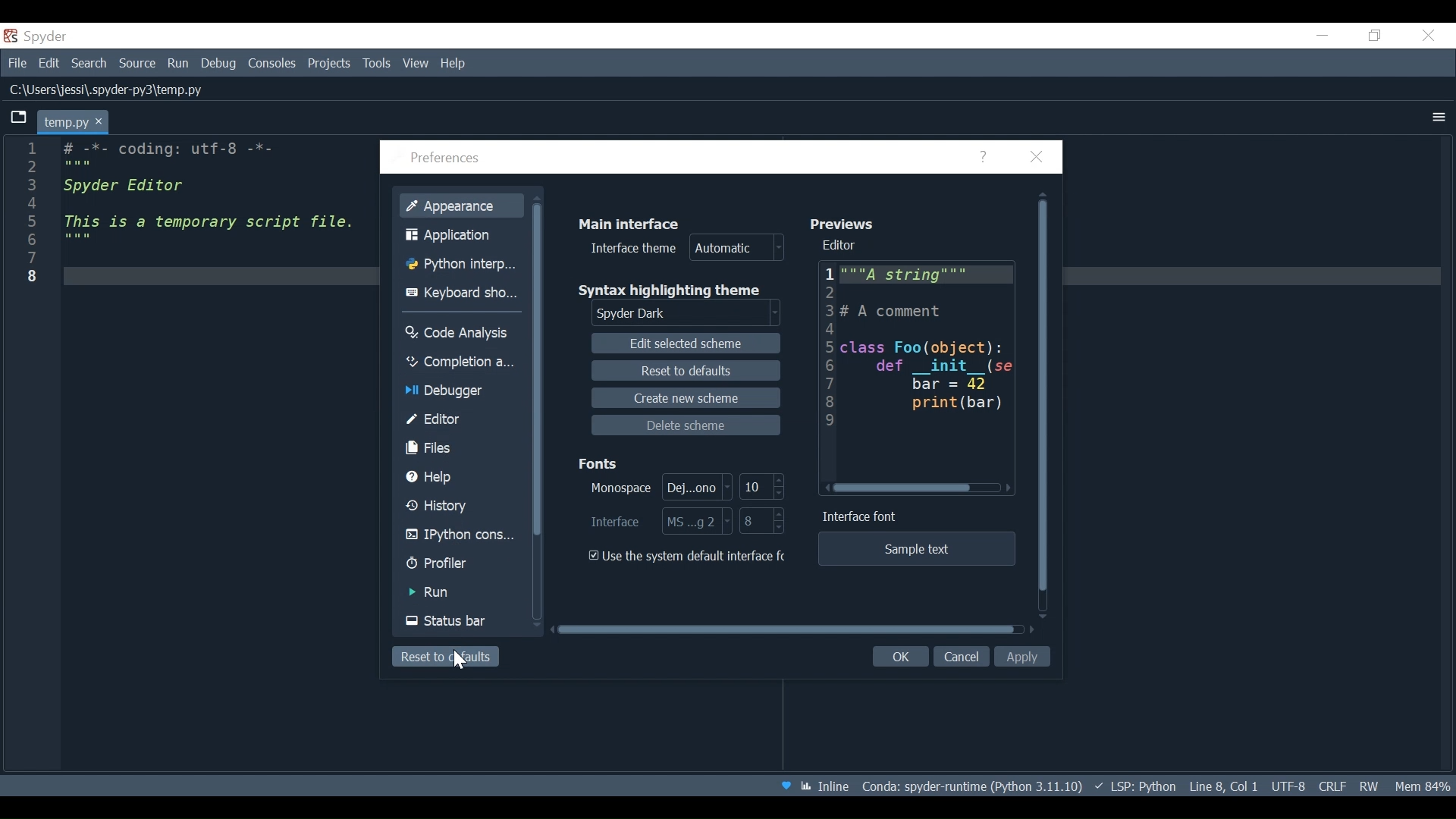 This screenshot has height=819, width=1456. Describe the element at coordinates (272, 64) in the screenshot. I see `Consoles` at that location.